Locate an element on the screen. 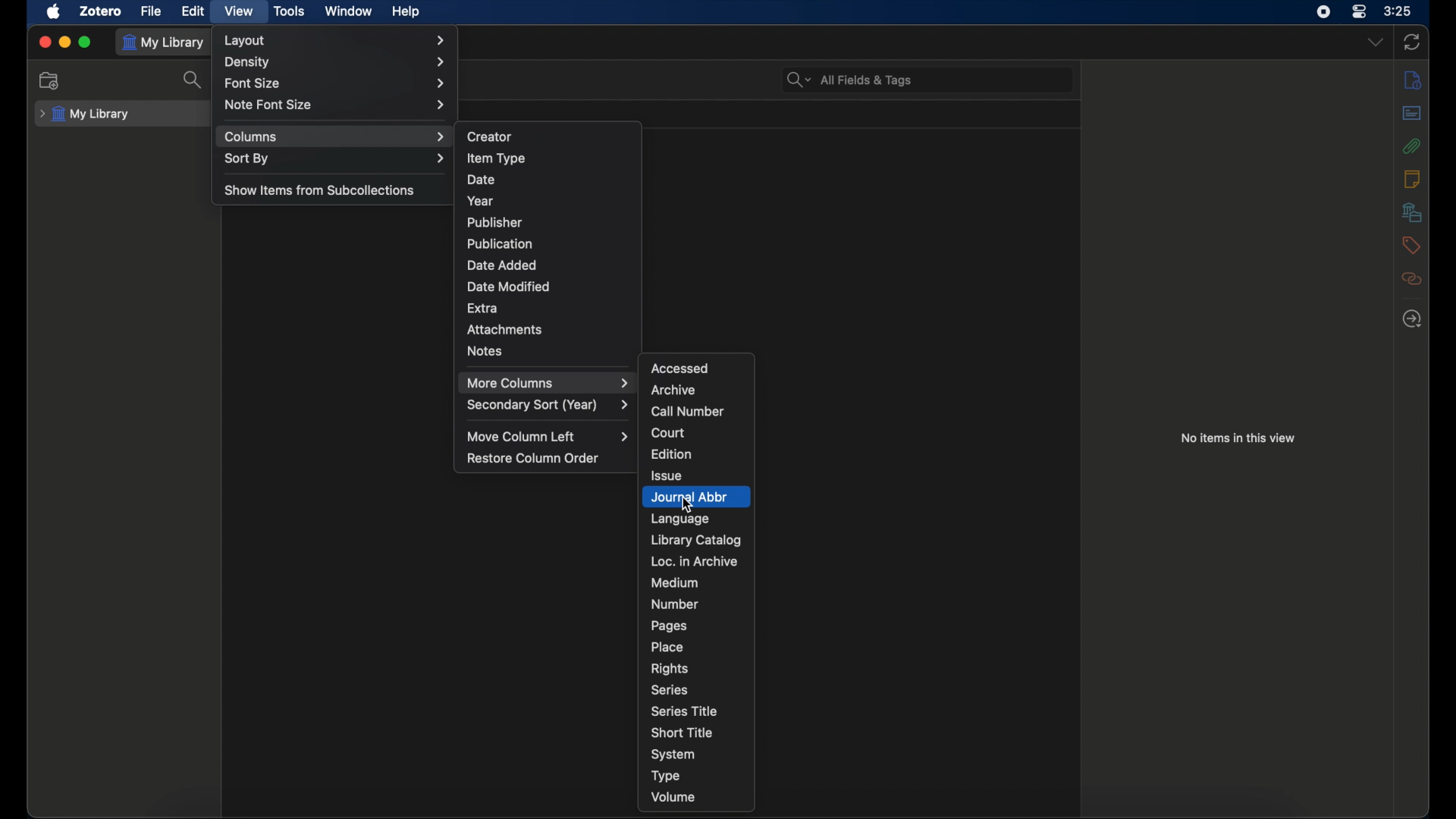 The image size is (1456, 819). sort by is located at coordinates (337, 159).